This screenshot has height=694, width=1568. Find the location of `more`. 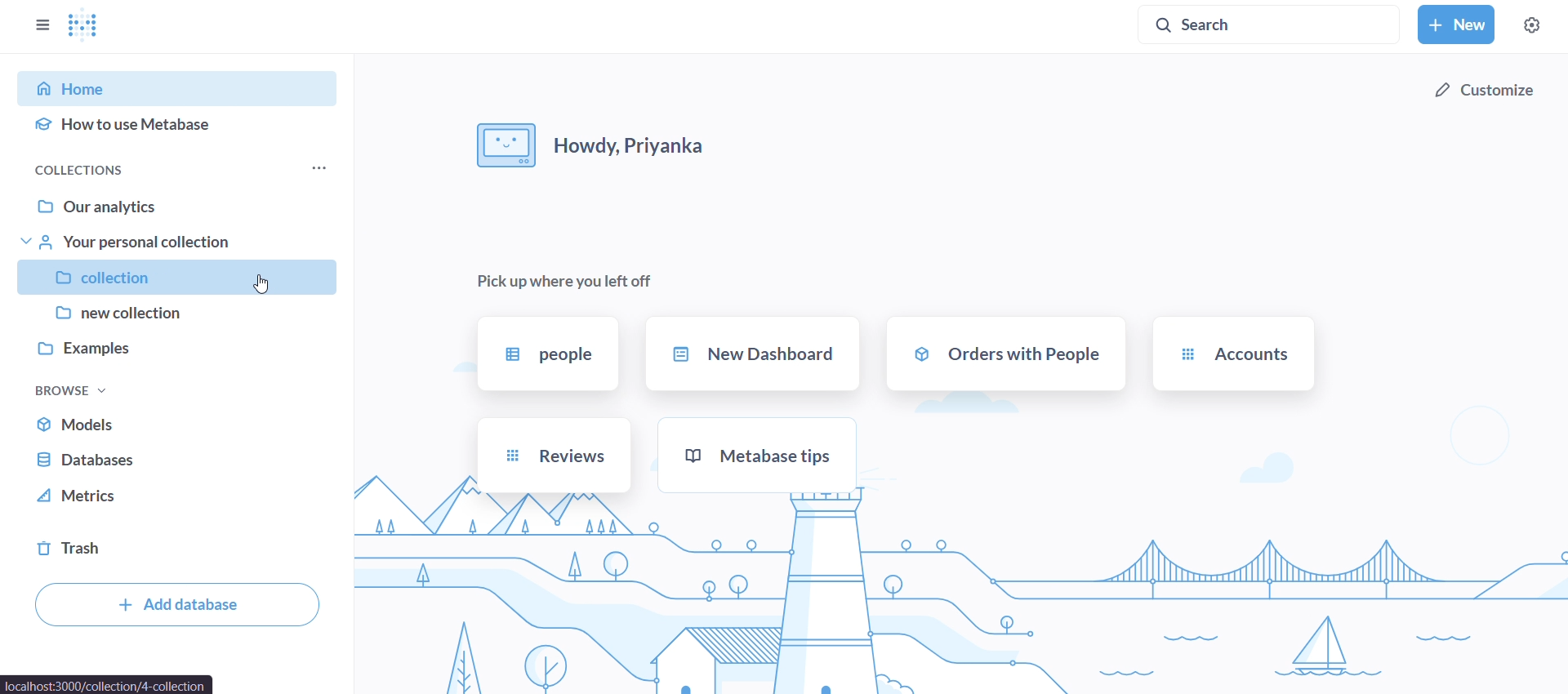

more is located at coordinates (321, 170).